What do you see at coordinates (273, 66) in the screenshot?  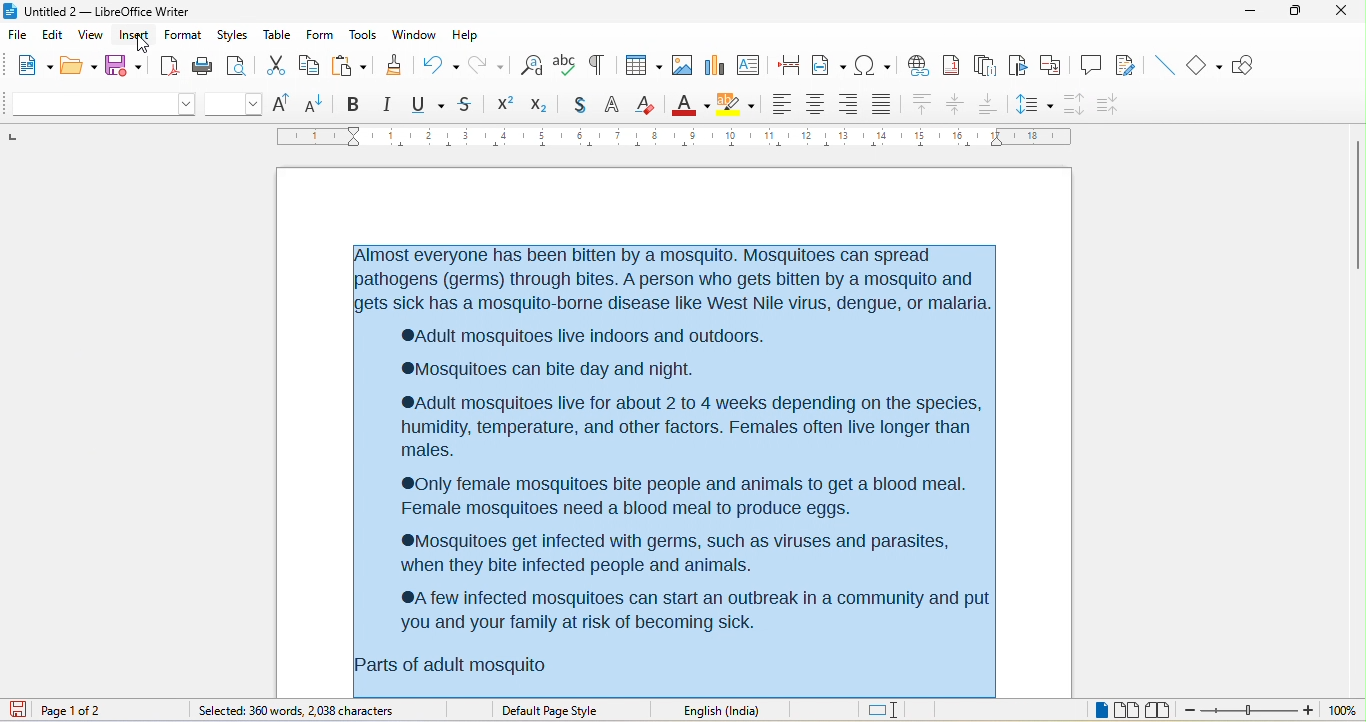 I see `cut` at bounding box center [273, 66].